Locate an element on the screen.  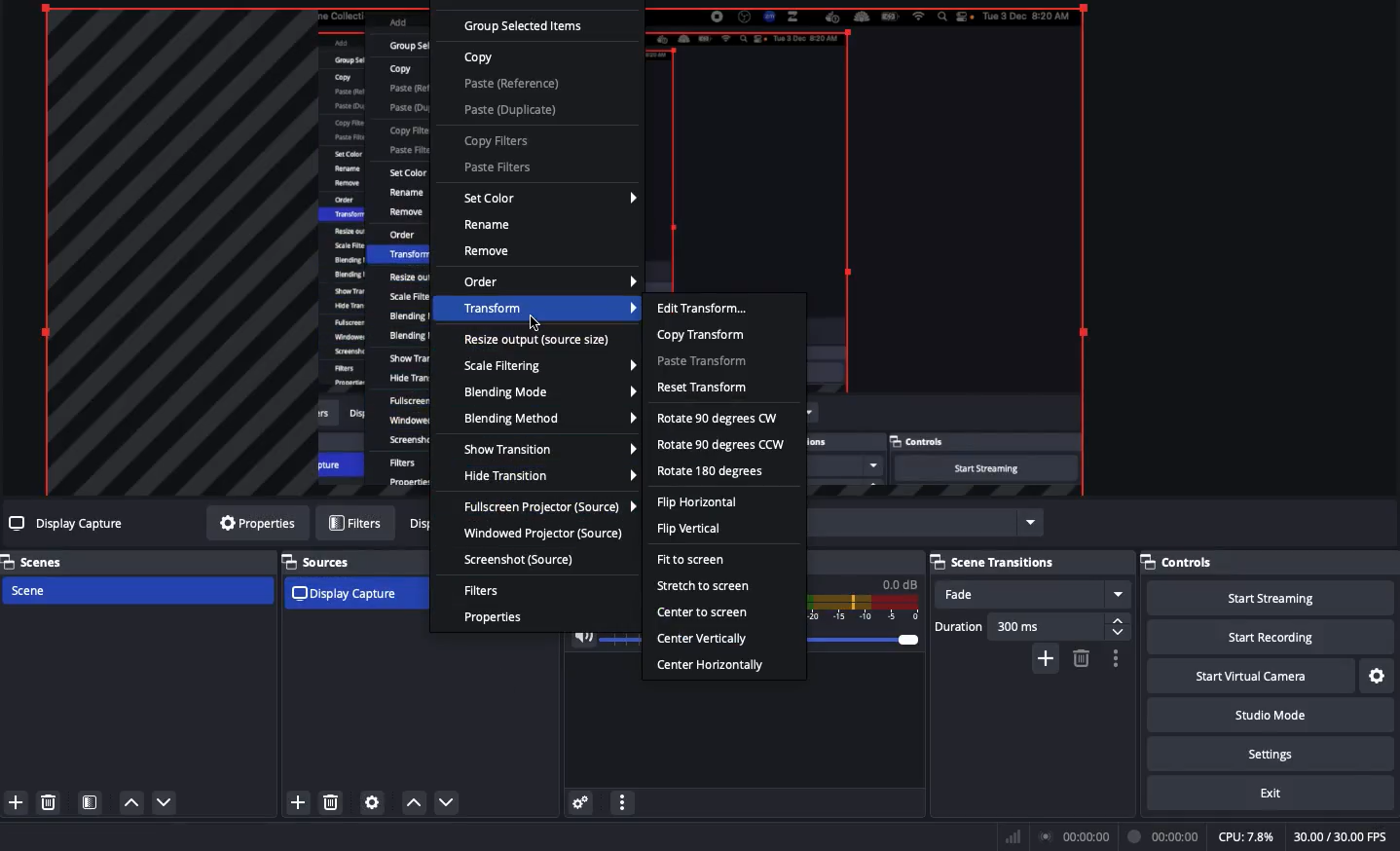
Rename is located at coordinates (488, 225).